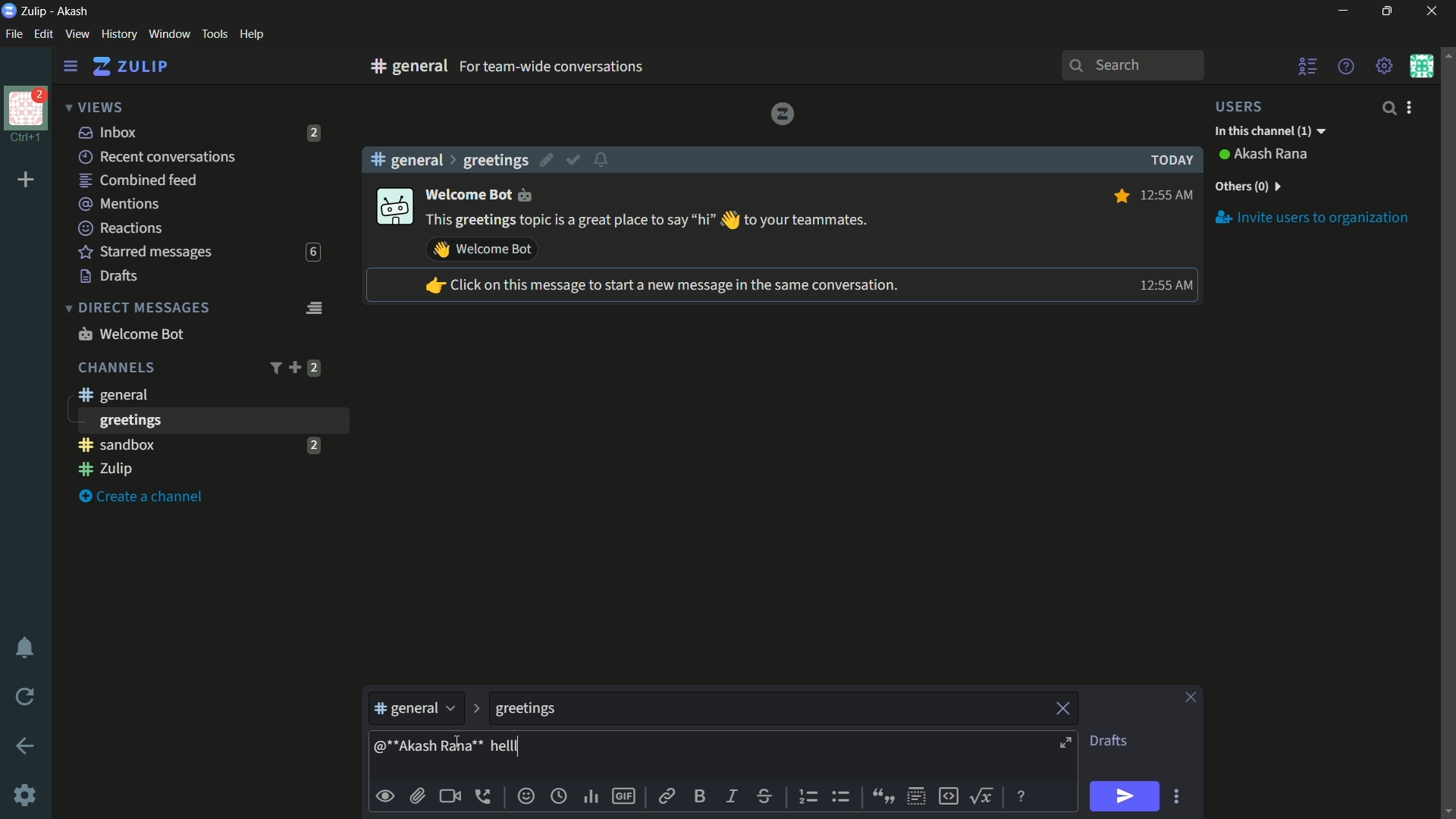  I want to click on bold, so click(701, 795).